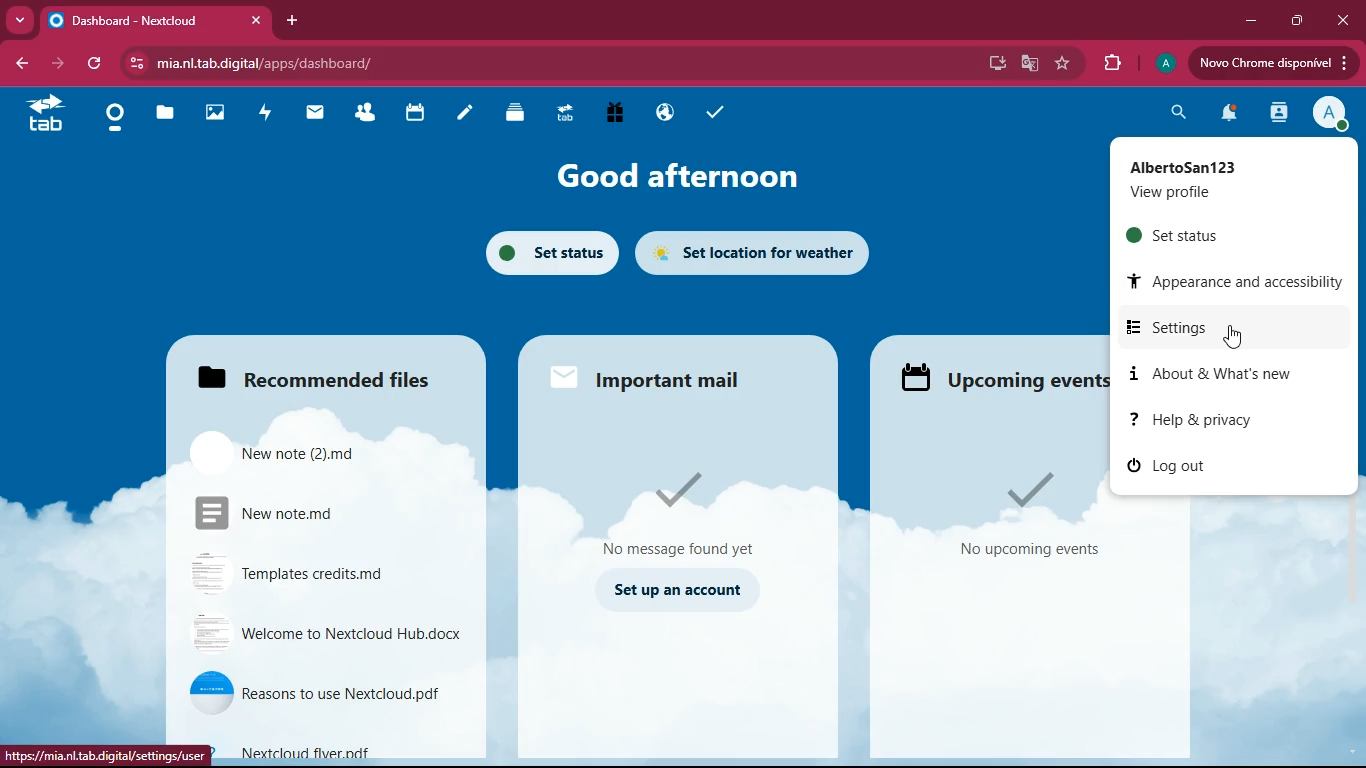  I want to click on calendar, so click(417, 115).